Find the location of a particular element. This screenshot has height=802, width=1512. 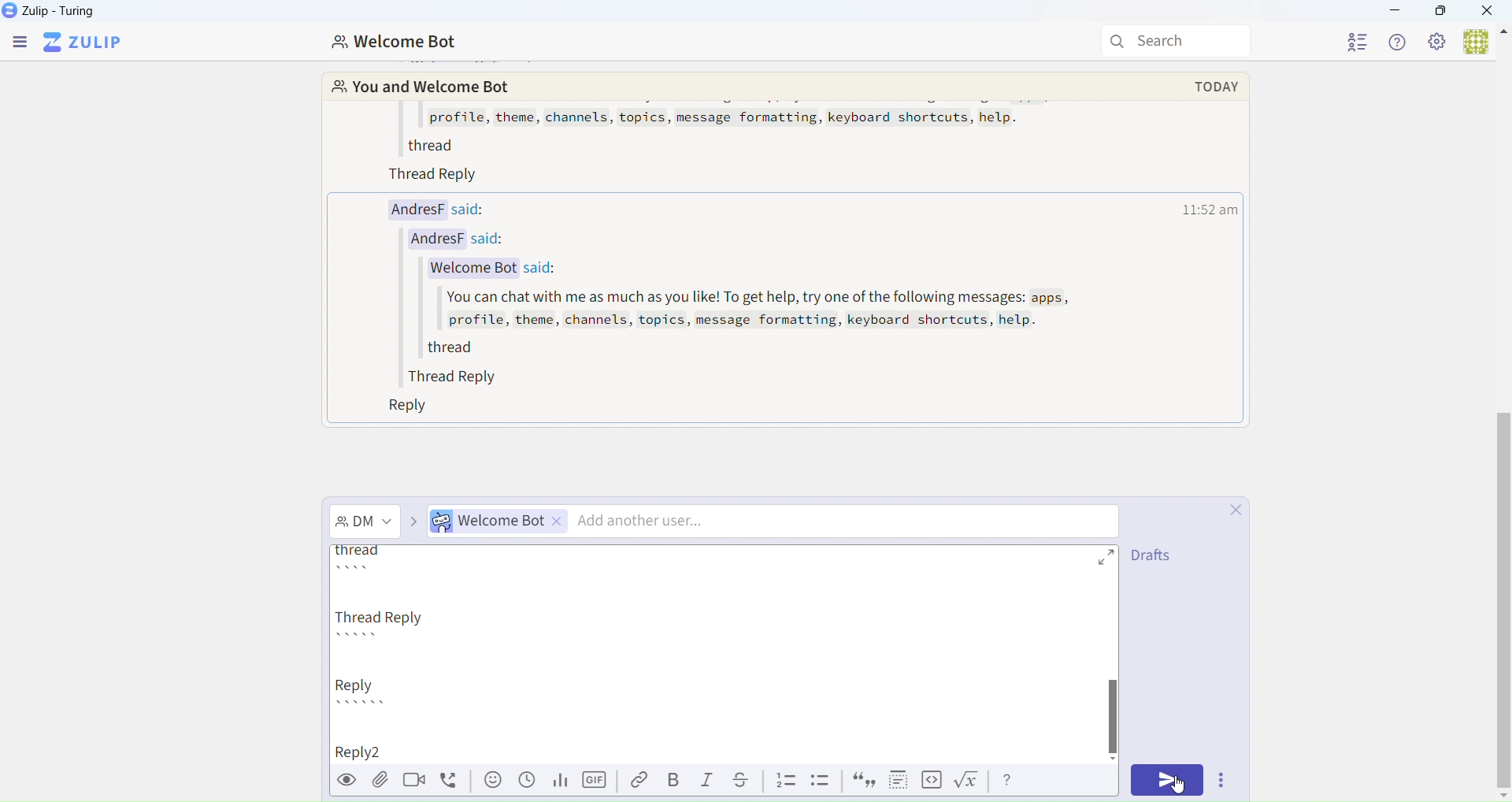

Search is located at coordinates (1177, 39).